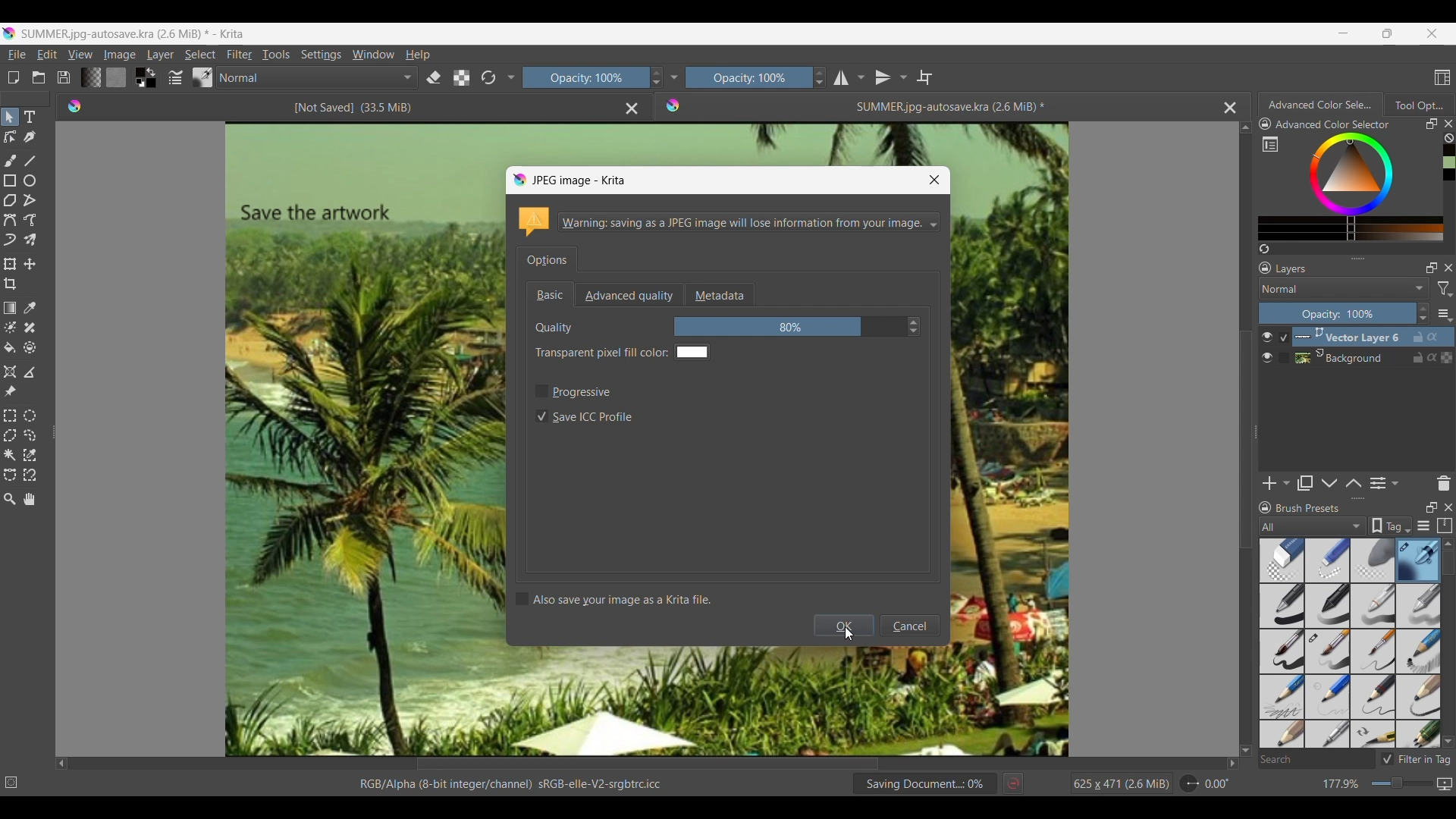 The image size is (1456, 819). Describe the element at coordinates (39, 77) in the screenshot. I see `Open an existing document` at that location.